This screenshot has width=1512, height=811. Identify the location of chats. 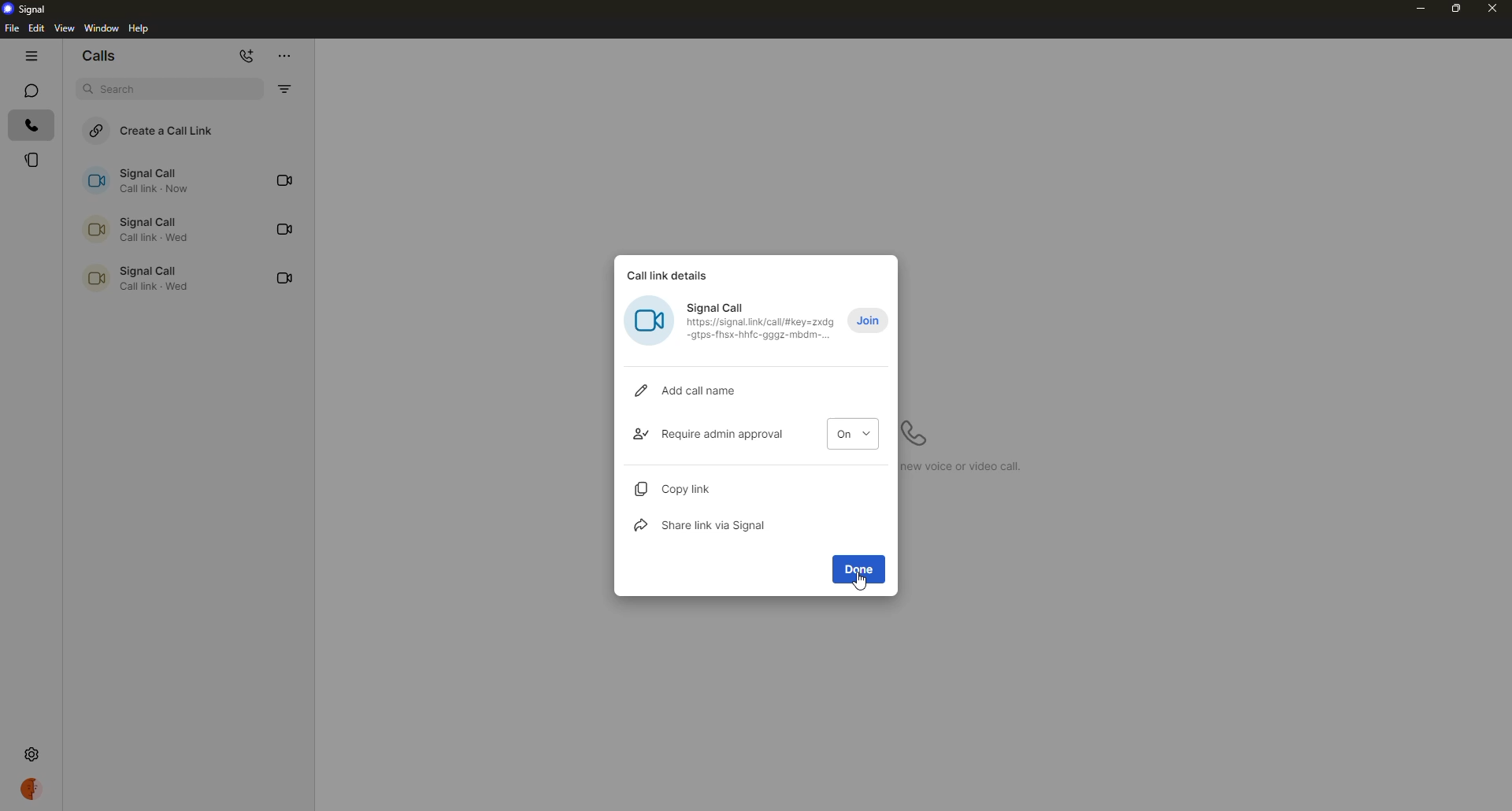
(31, 91).